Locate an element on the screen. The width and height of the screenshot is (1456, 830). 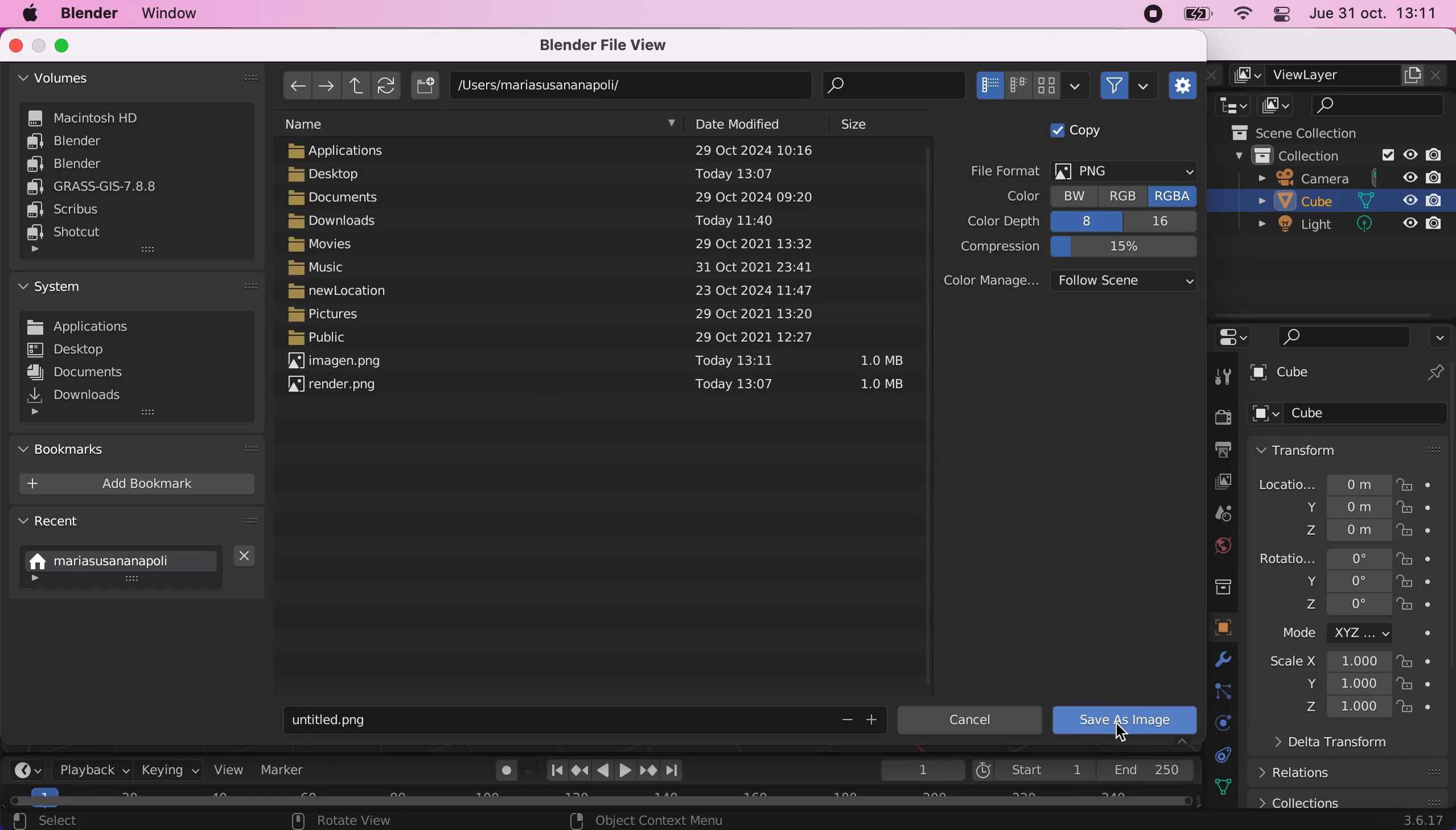
recording stopped is located at coordinates (1150, 15).